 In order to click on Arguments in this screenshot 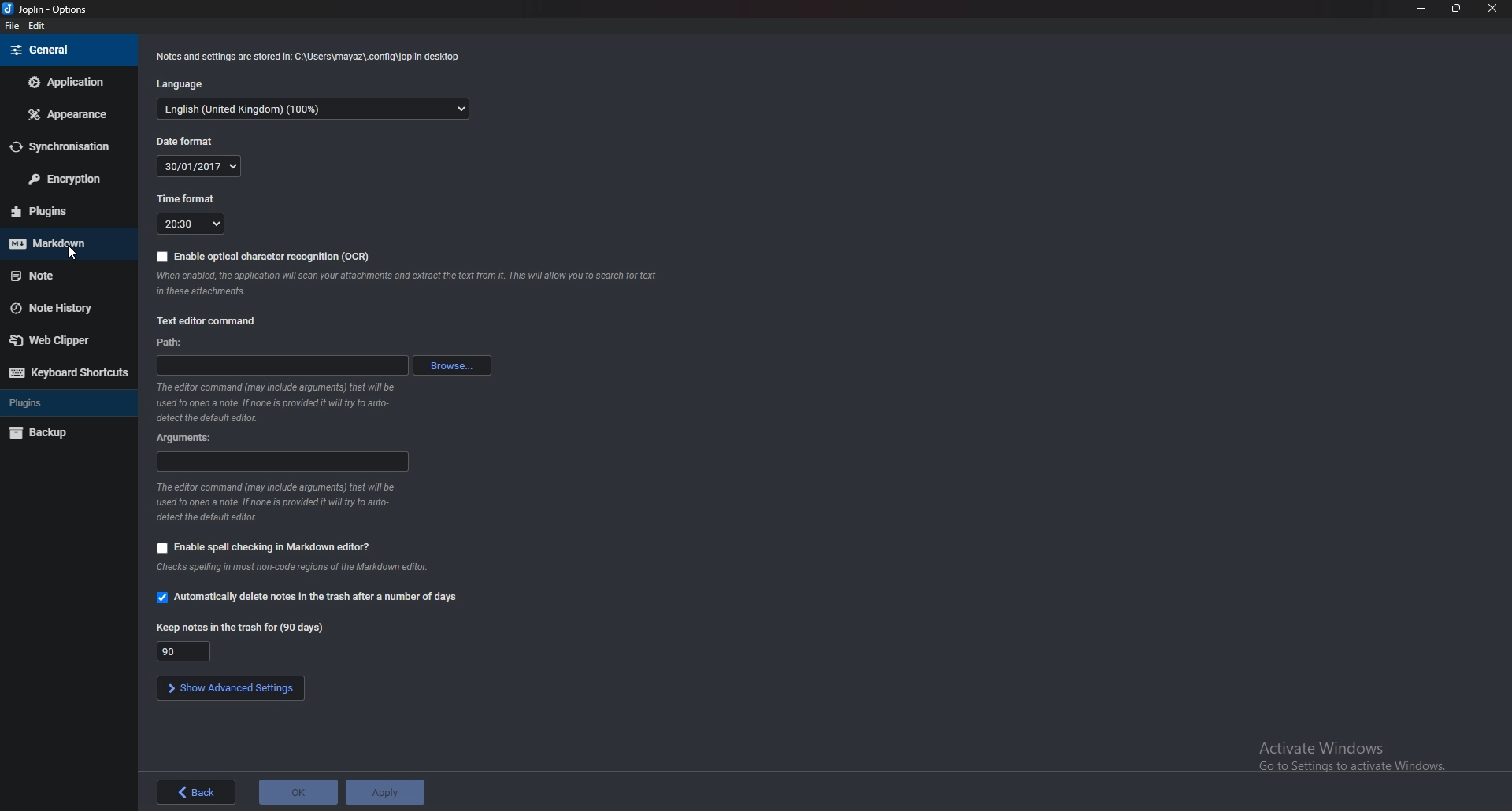, I will do `click(282, 463)`.